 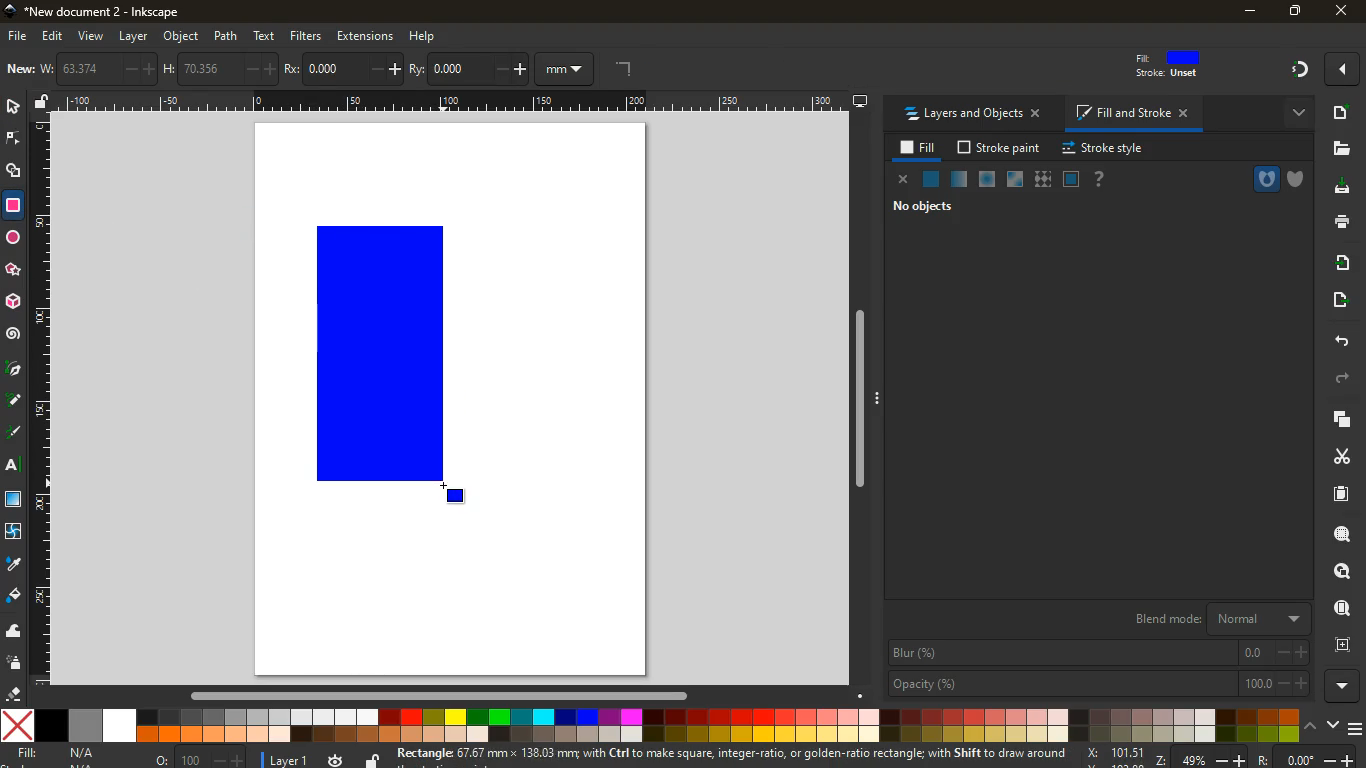 What do you see at coordinates (1337, 456) in the screenshot?
I see `cut` at bounding box center [1337, 456].